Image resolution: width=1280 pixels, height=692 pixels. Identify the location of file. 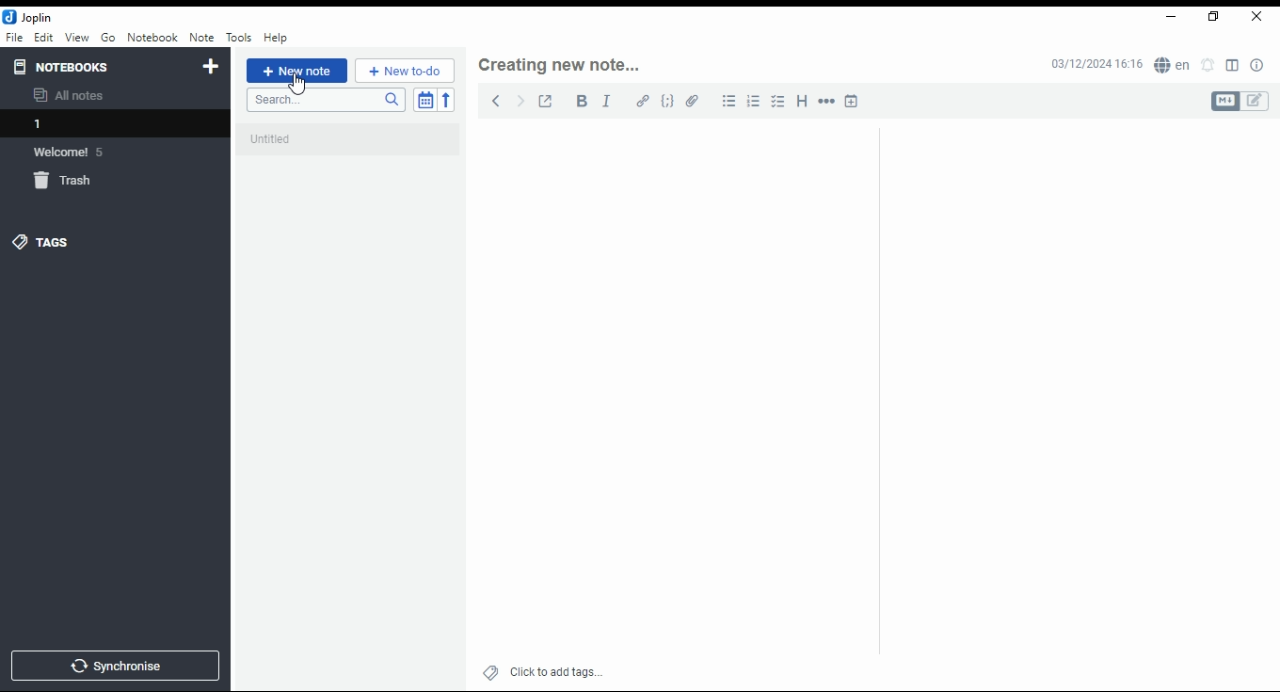
(14, 36).